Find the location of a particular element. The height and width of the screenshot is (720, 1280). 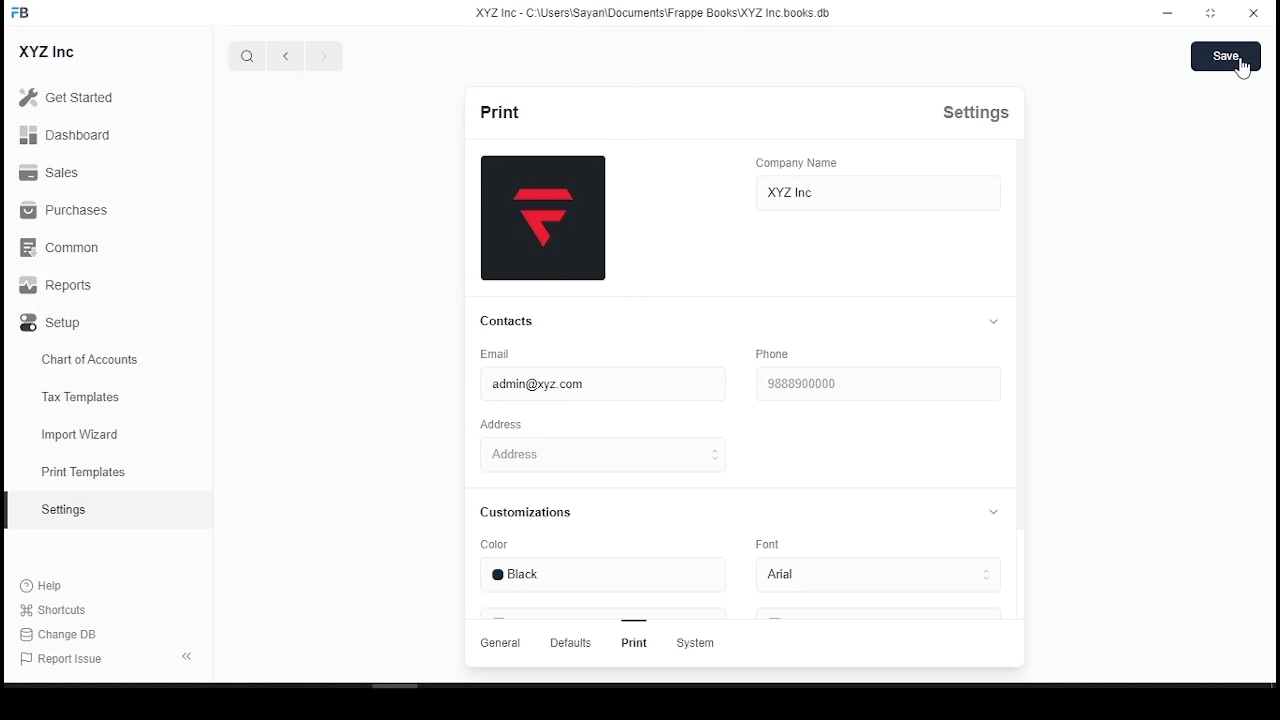

Print is located at coordinates (634, 644).